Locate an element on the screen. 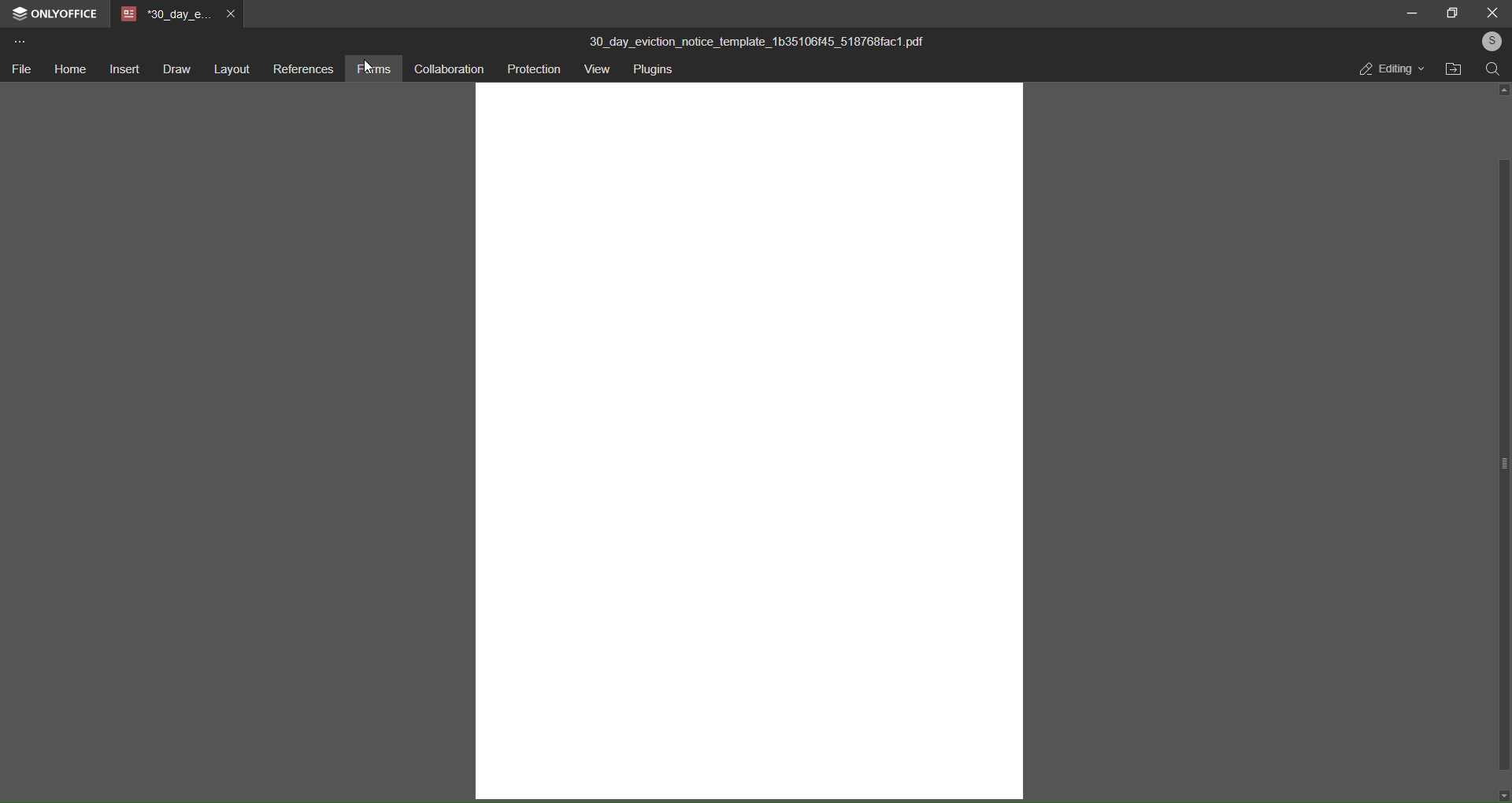  home is located at coordinates (68, 69).